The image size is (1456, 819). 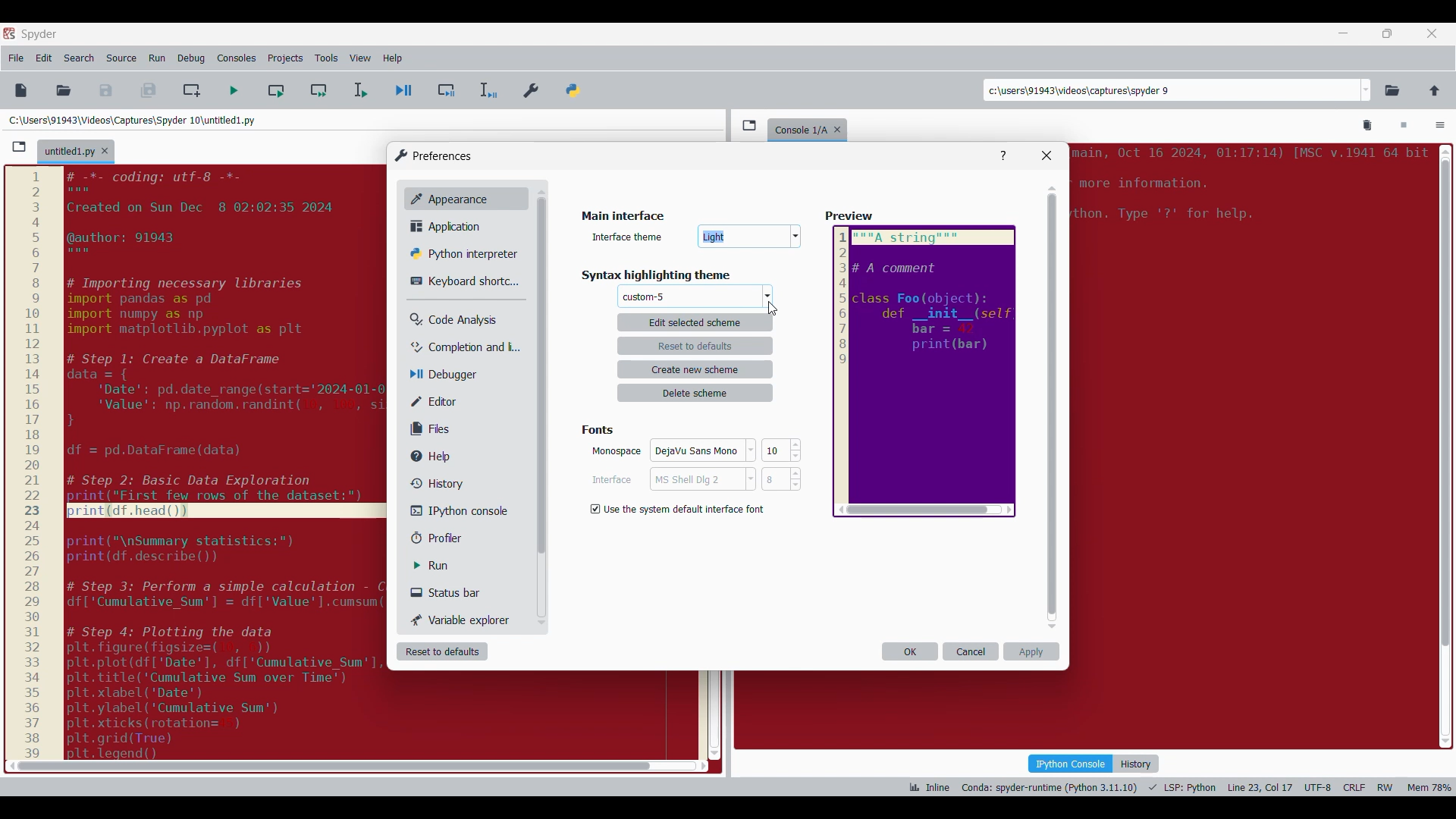 What do you see at coordinates (1003, 156) in the screenshot?
I see `Help` at bounding box center [1003, 156].